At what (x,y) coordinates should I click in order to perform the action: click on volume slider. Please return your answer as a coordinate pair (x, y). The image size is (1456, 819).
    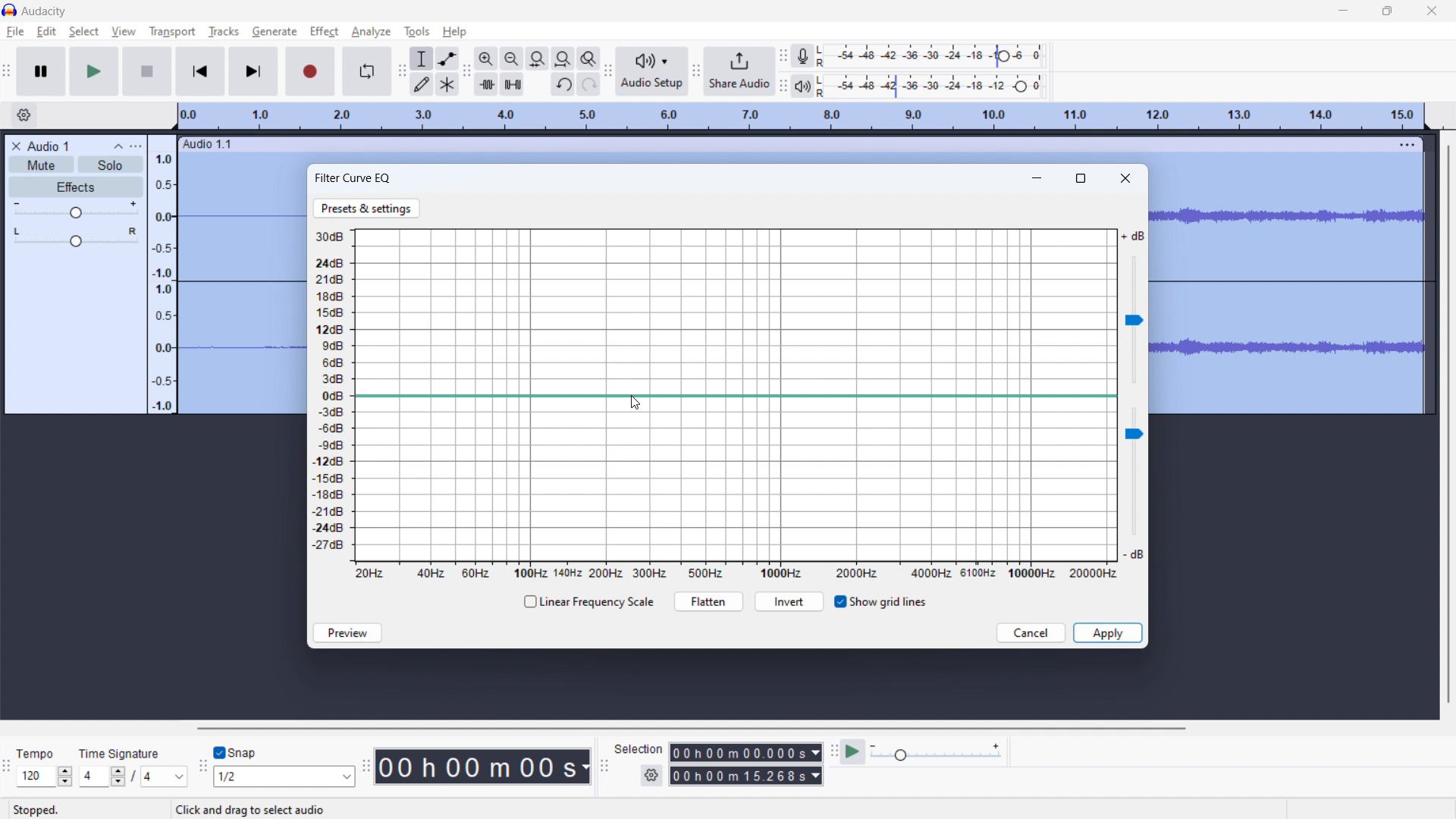
    Looking at the image, I should click on (1134, 308).